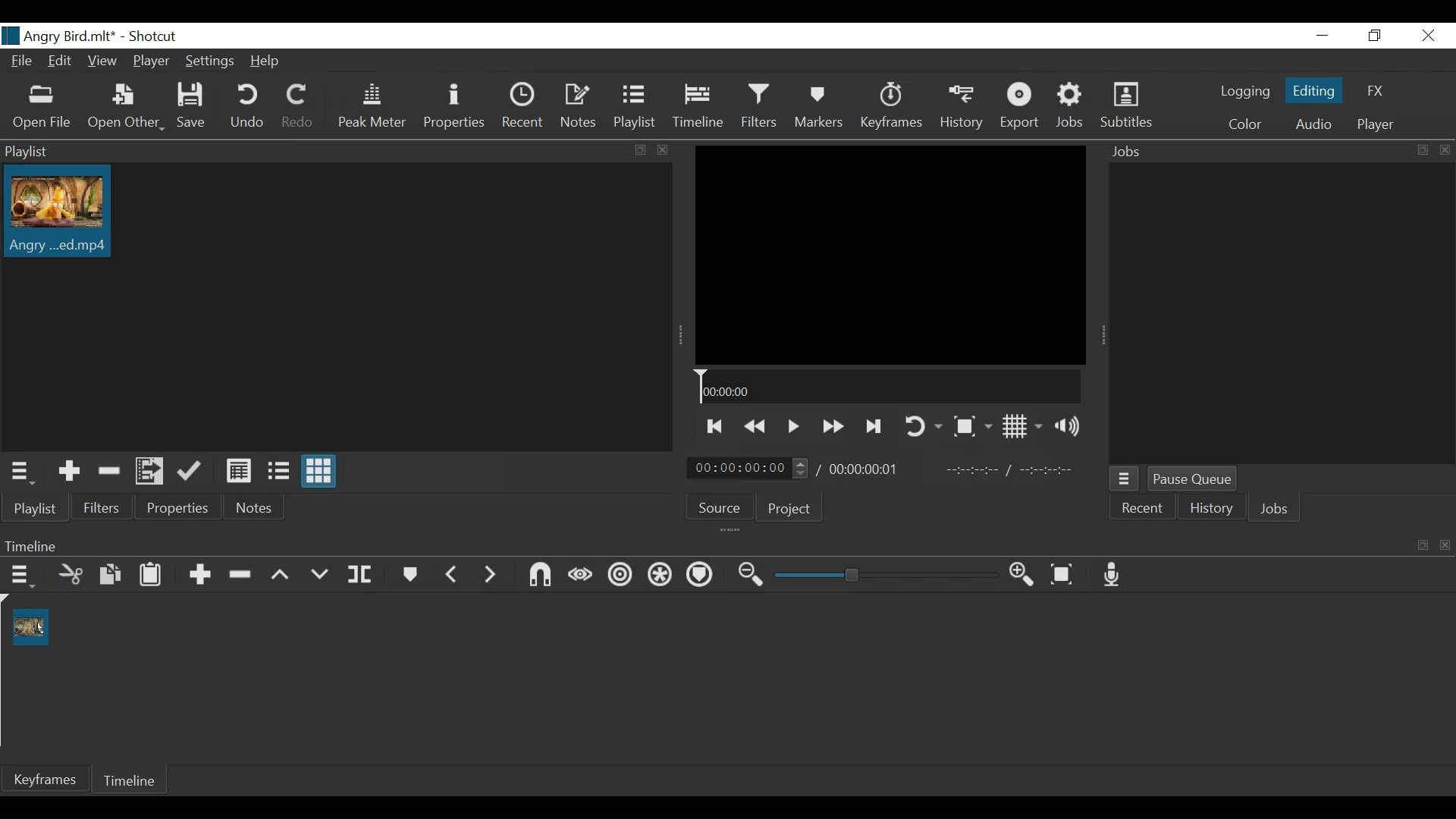  What do you see at coordinates (110, 575) in the screenshot?
I see `Copy` at bounding box center [110, 575].